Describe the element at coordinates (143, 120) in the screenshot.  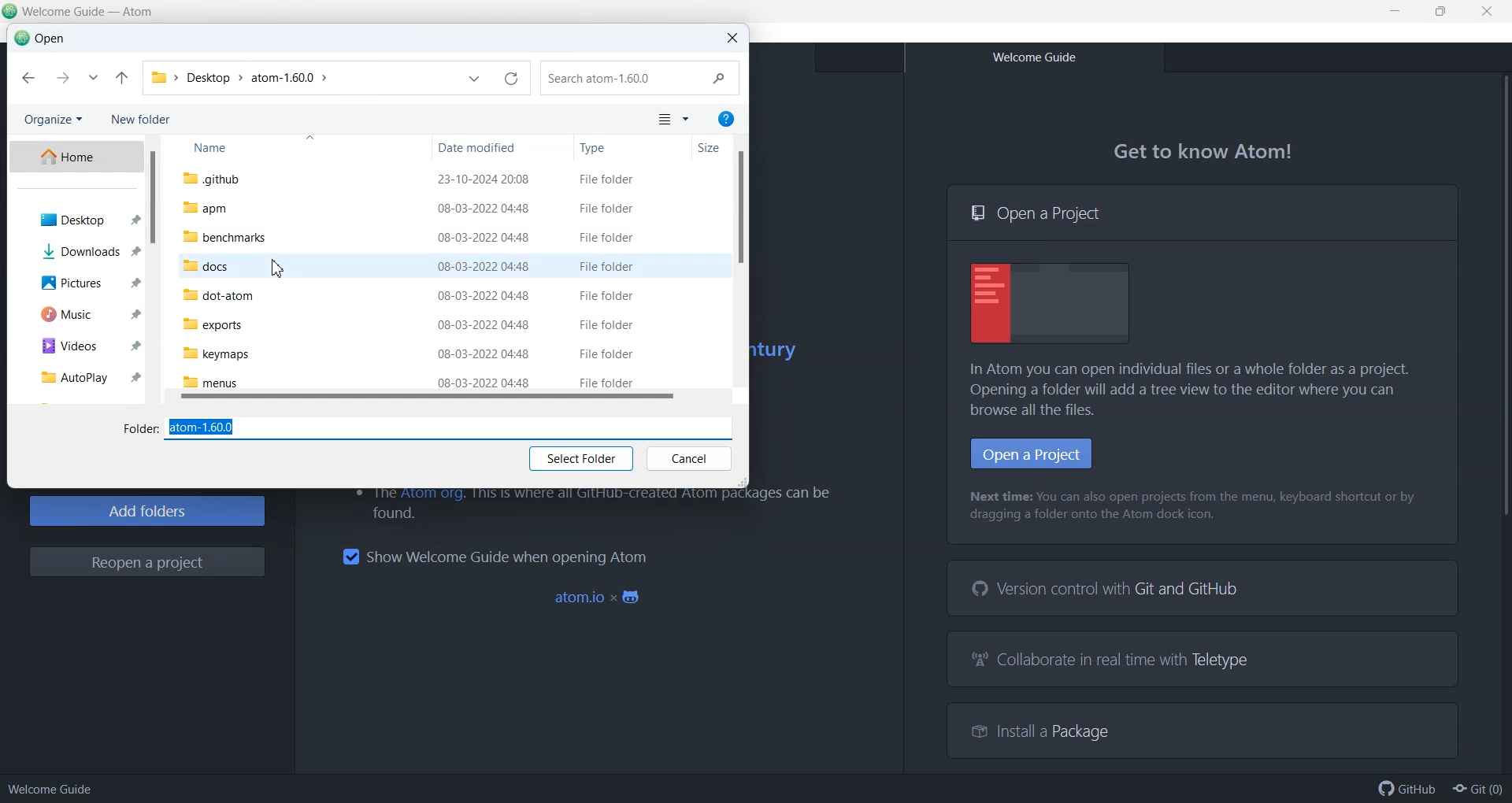
I see `New folder` at that location.